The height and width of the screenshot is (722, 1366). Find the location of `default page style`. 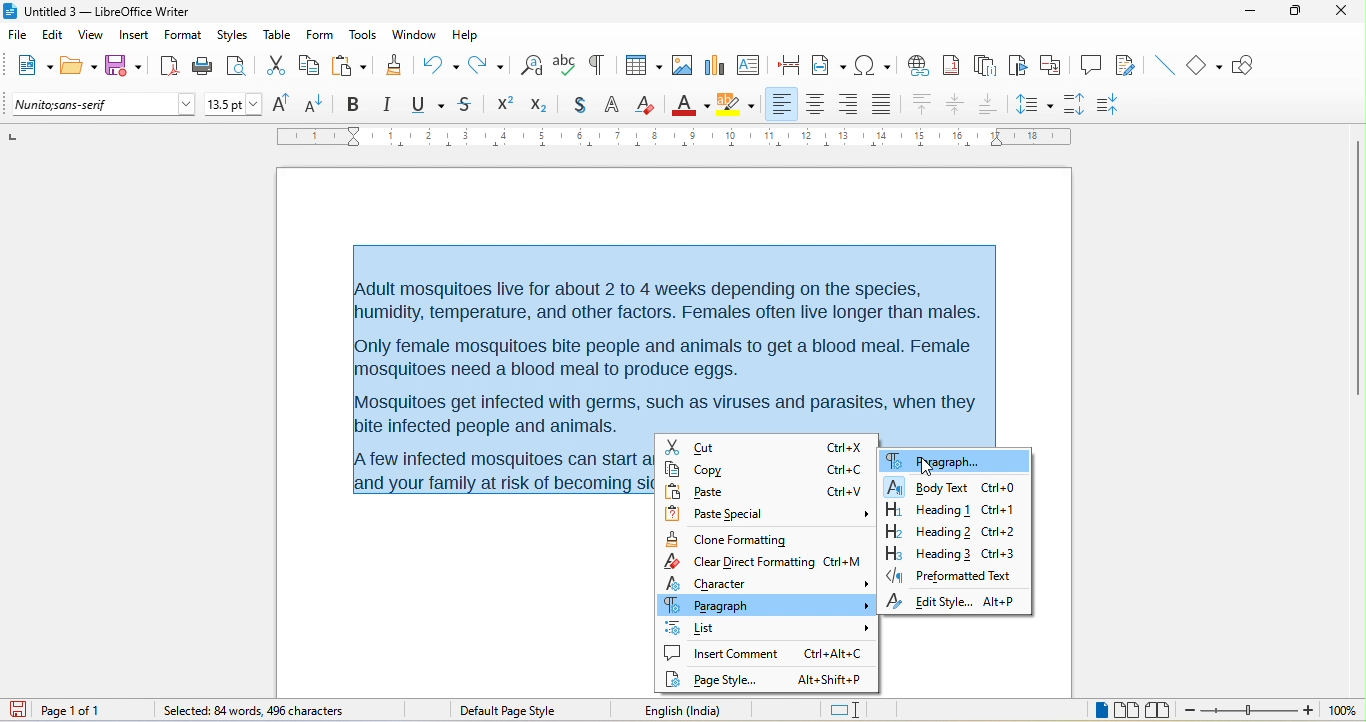

default page style is located at coordinates (511, 711).